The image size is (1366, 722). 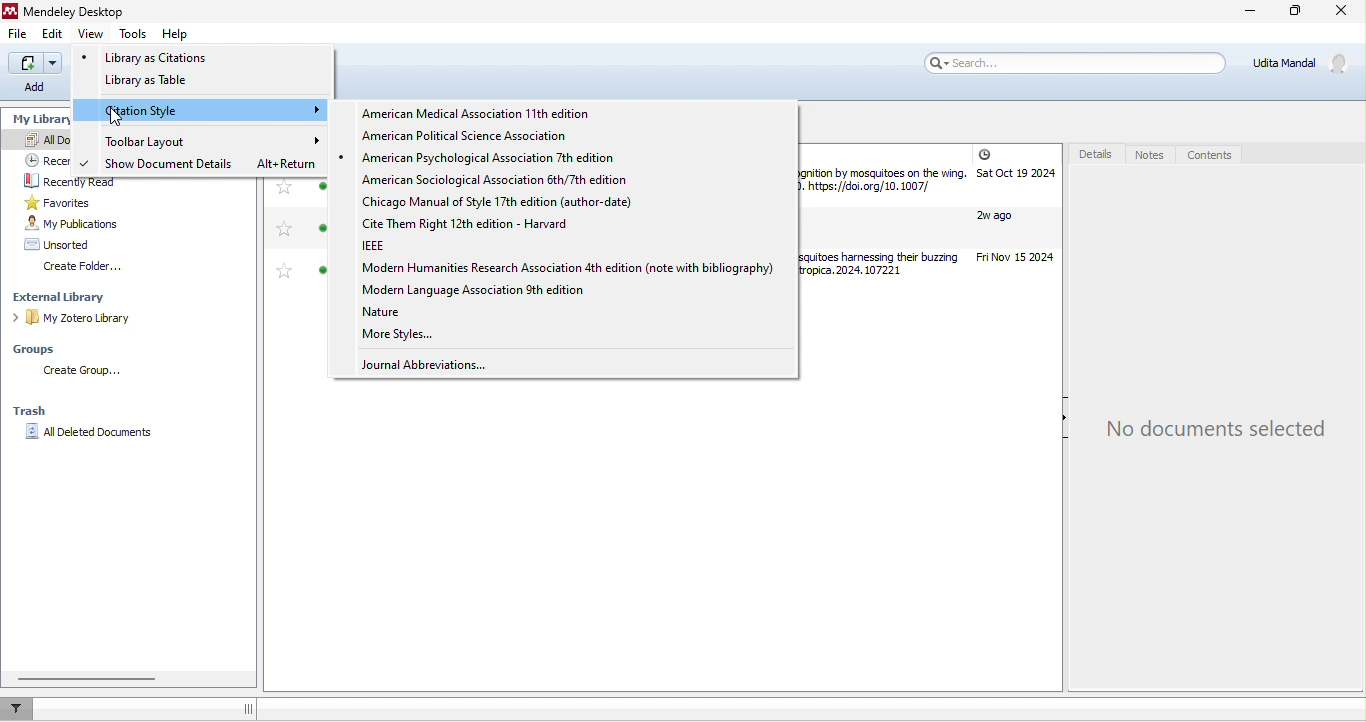 What do you see at coordinates (164, 83) in the screenshot?
I see `Library as table` at bounding box center [164, 83].